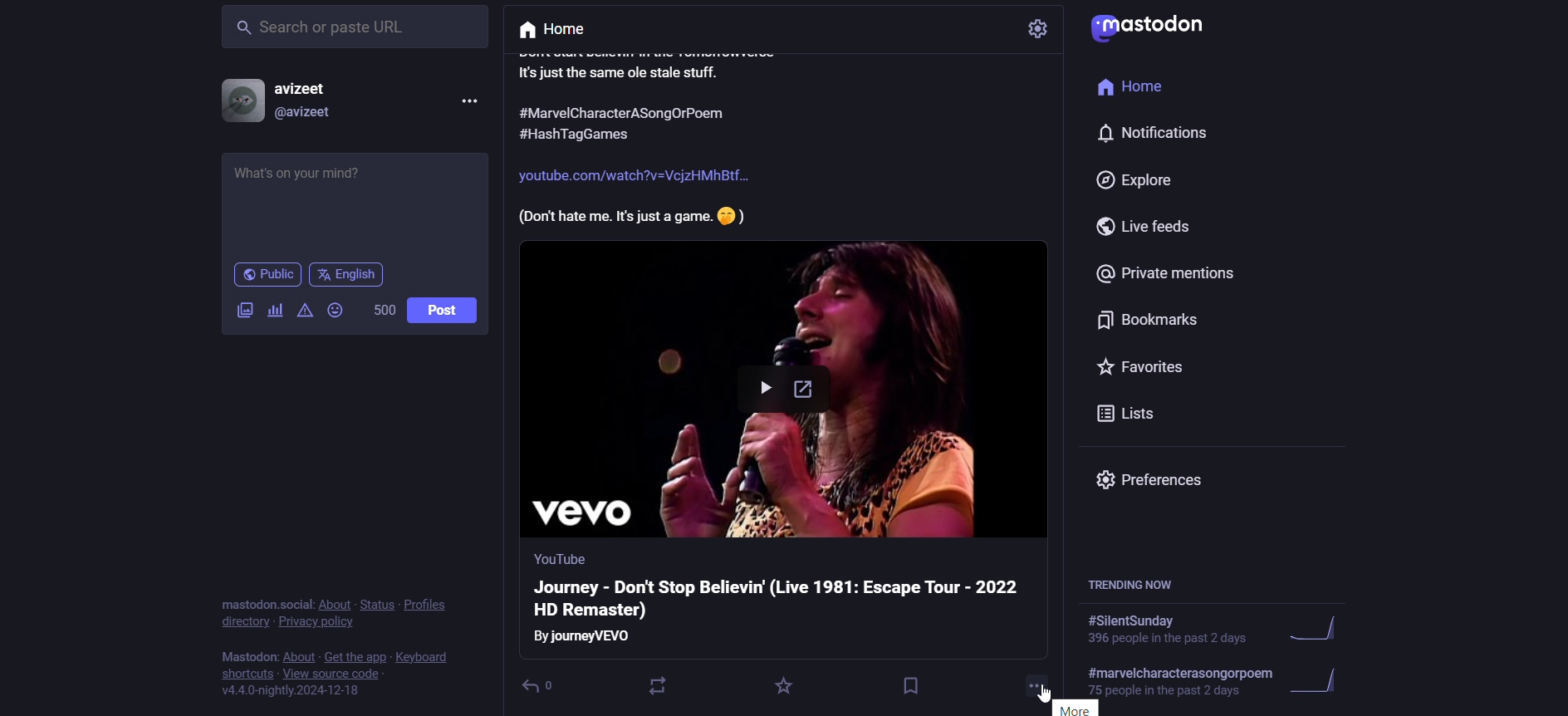 The image size is (1568, 716). I want to click on trending hashtag 2, so click(1223, 684).